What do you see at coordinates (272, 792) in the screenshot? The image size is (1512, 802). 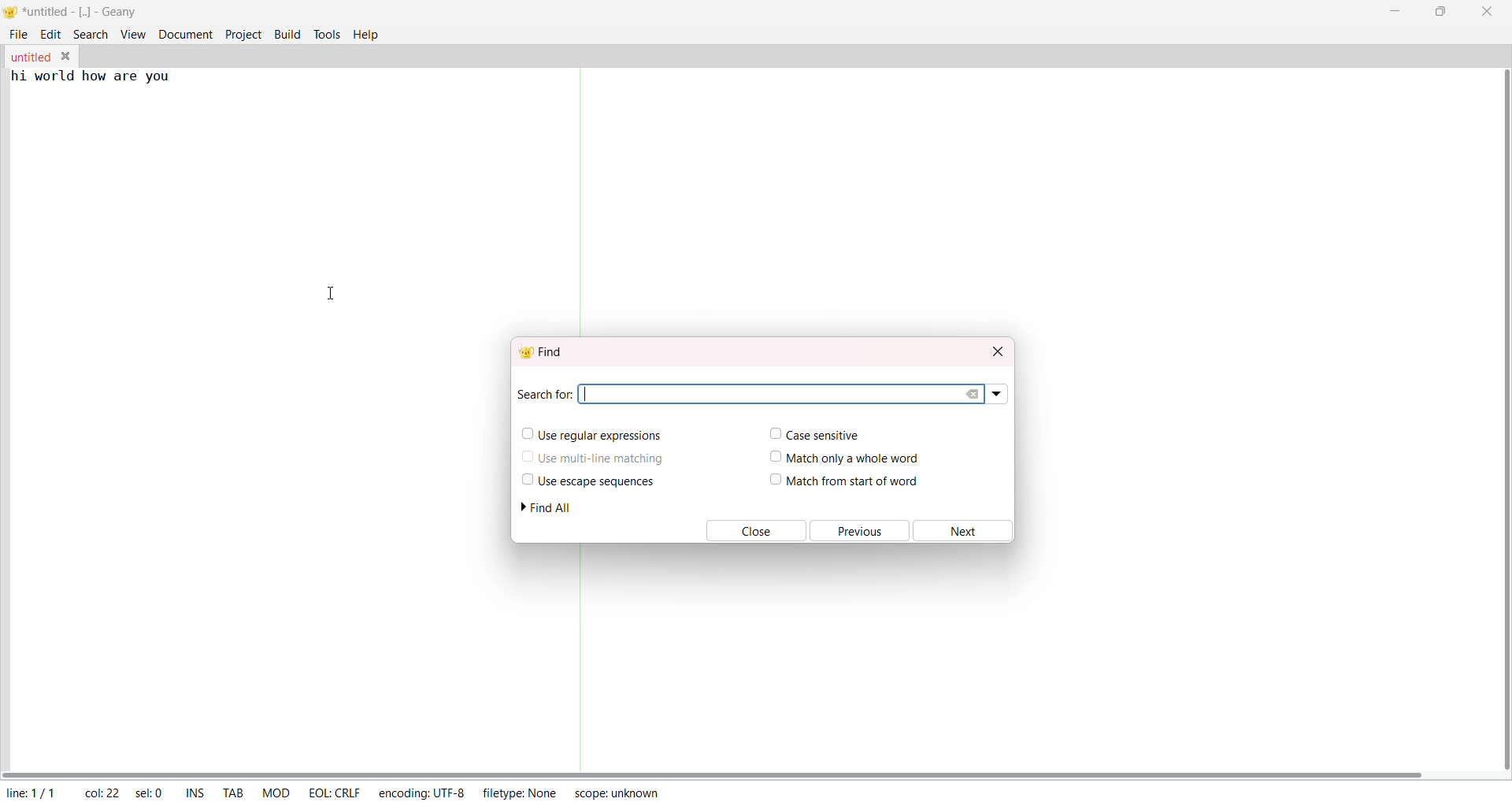 I see `mod` at bounding box center [272, 792].